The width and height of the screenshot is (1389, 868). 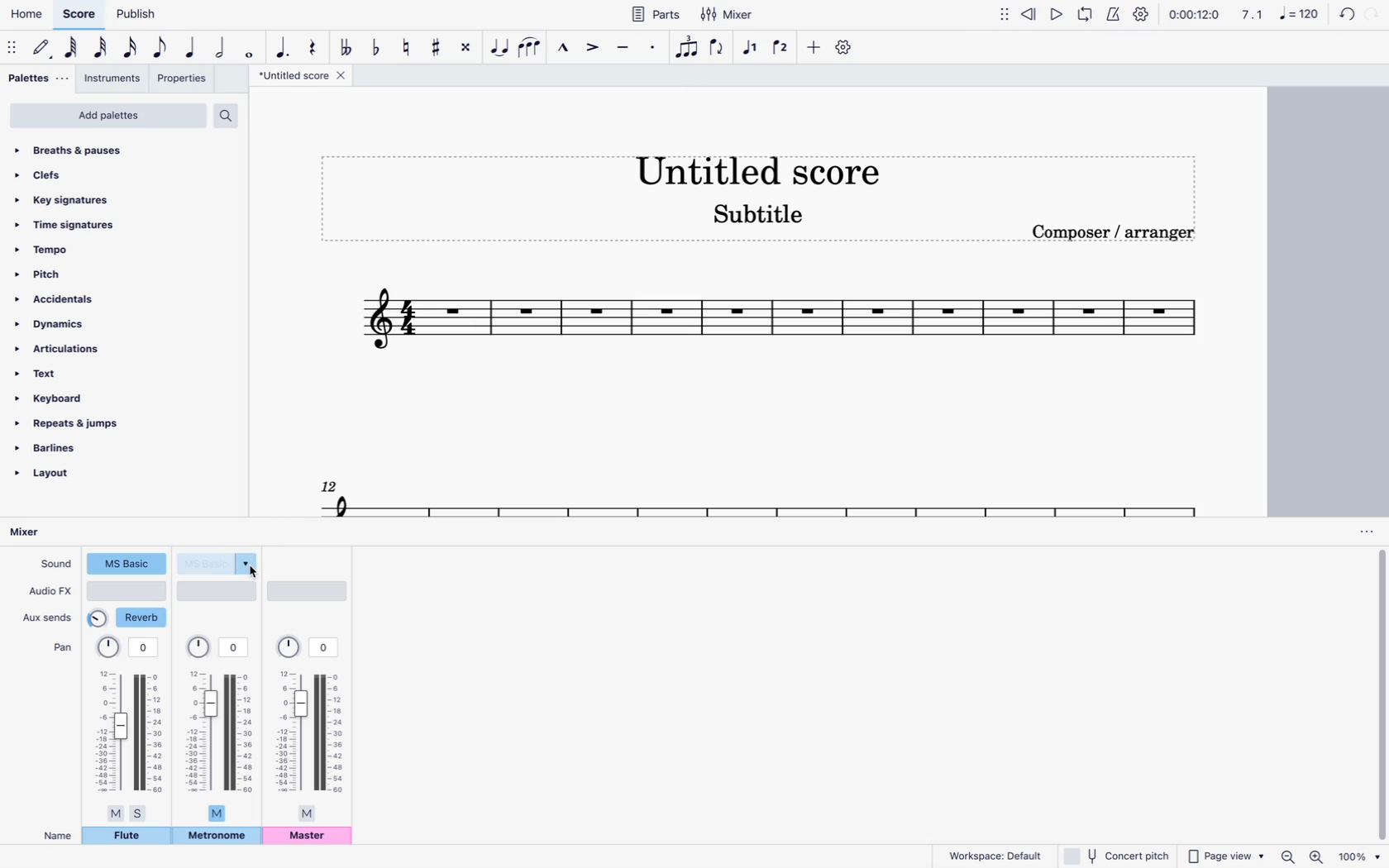 I want to click on zoom out, so click(x=1287, y=856).